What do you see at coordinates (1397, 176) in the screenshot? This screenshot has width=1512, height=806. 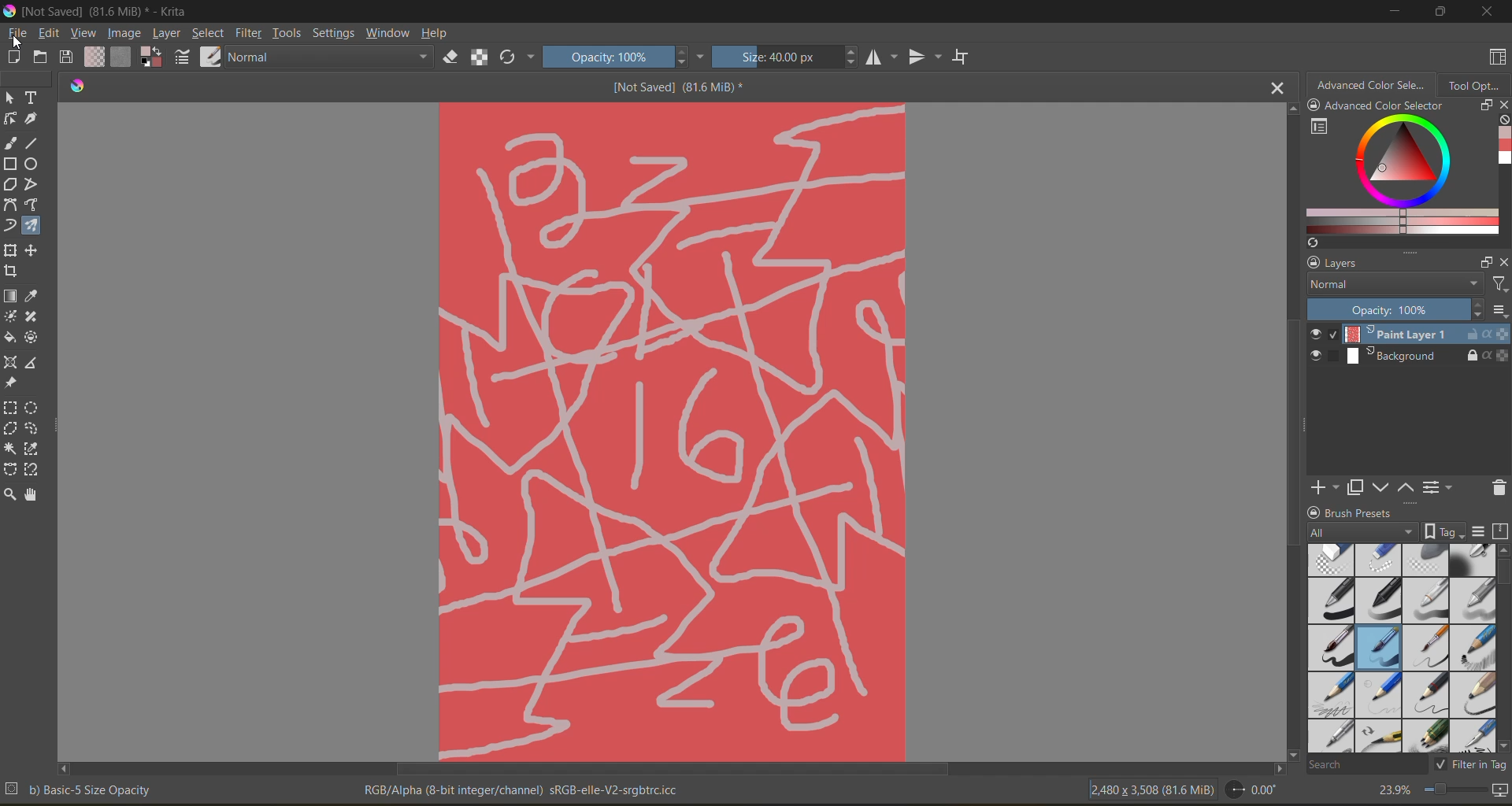 I see `advanced color selector` at bounding box center [1397, 176].